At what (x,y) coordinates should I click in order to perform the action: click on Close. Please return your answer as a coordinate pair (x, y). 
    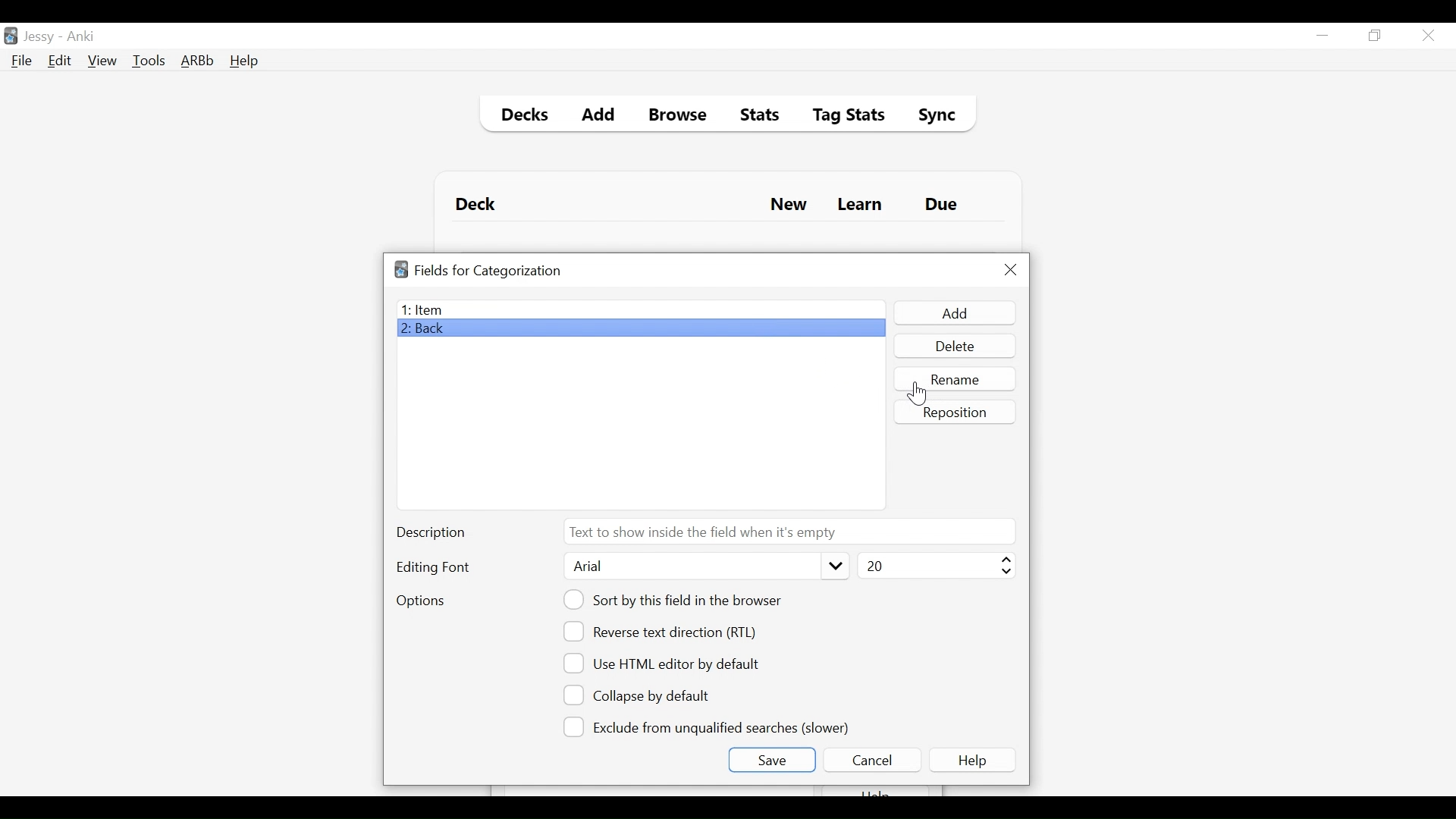
    Looking at the image, I should click on (1011, 270).